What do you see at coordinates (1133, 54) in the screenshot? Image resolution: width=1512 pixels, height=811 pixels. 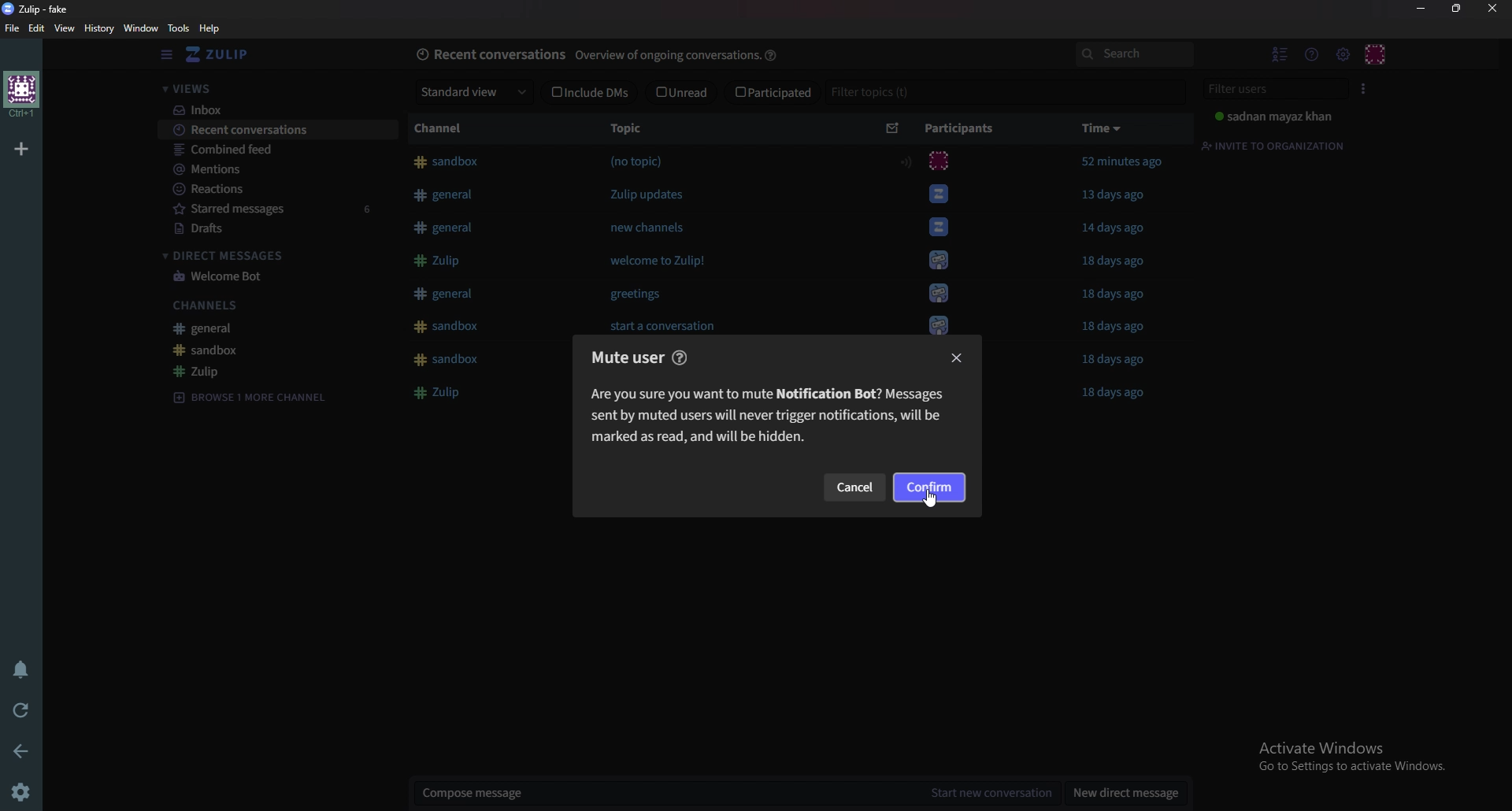 I see `search` at bounding box center [1133, 54].